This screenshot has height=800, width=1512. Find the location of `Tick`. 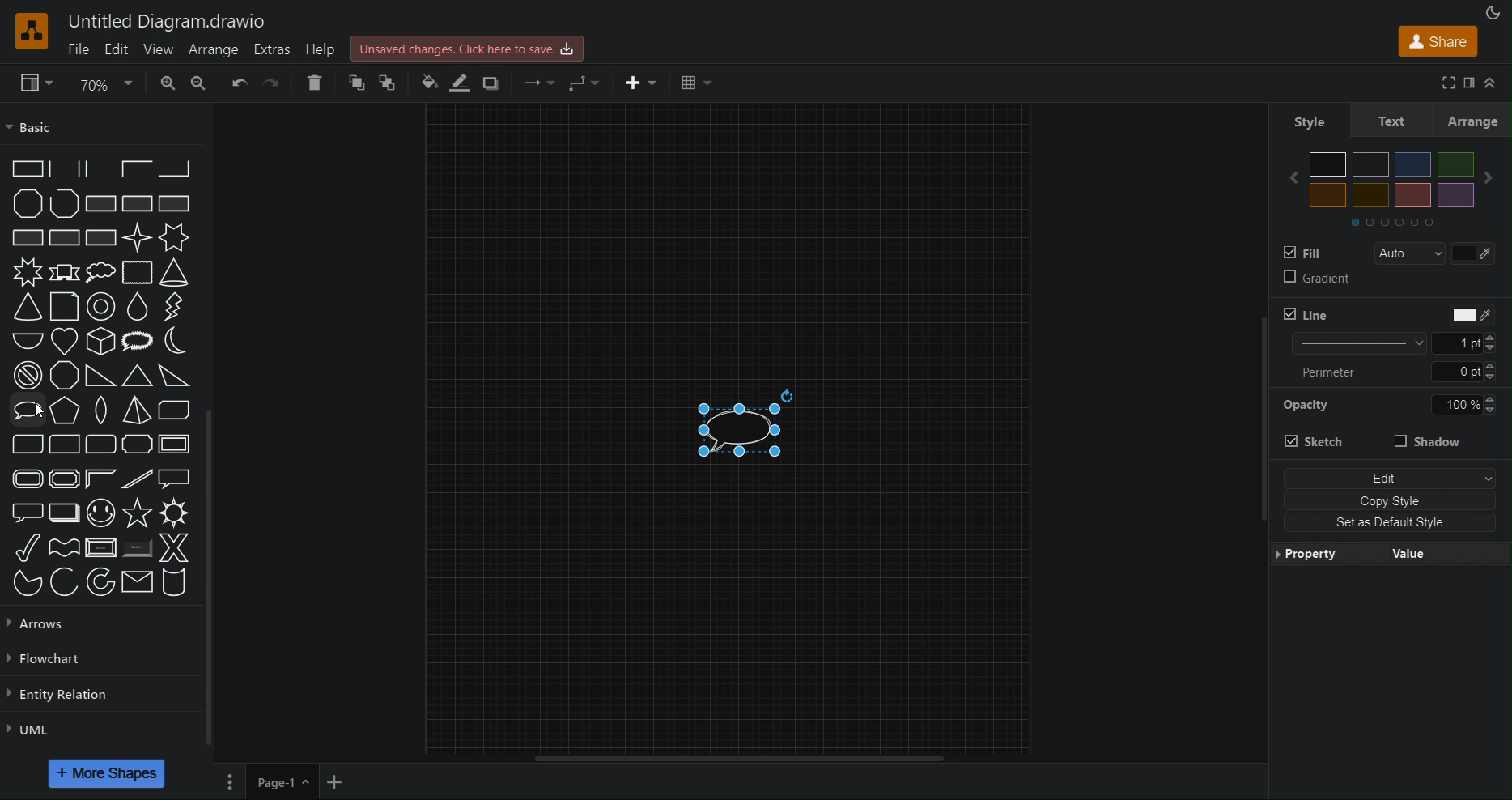

Tick is located at coordinates (23, 548).